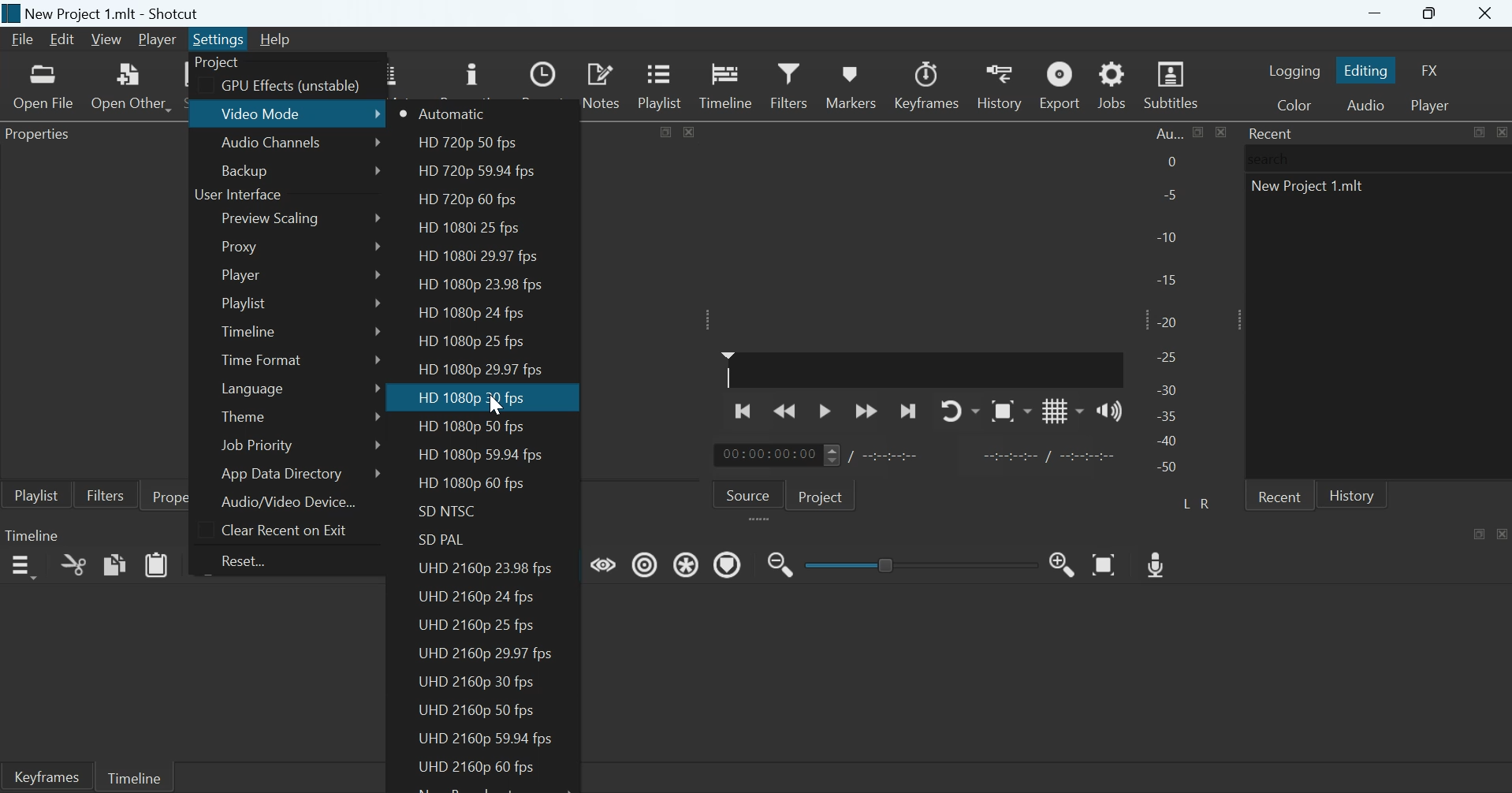  What do you see at coordinates (250, 560) in the screenshot?
I see `Reset` at bounding box center [250, 560].